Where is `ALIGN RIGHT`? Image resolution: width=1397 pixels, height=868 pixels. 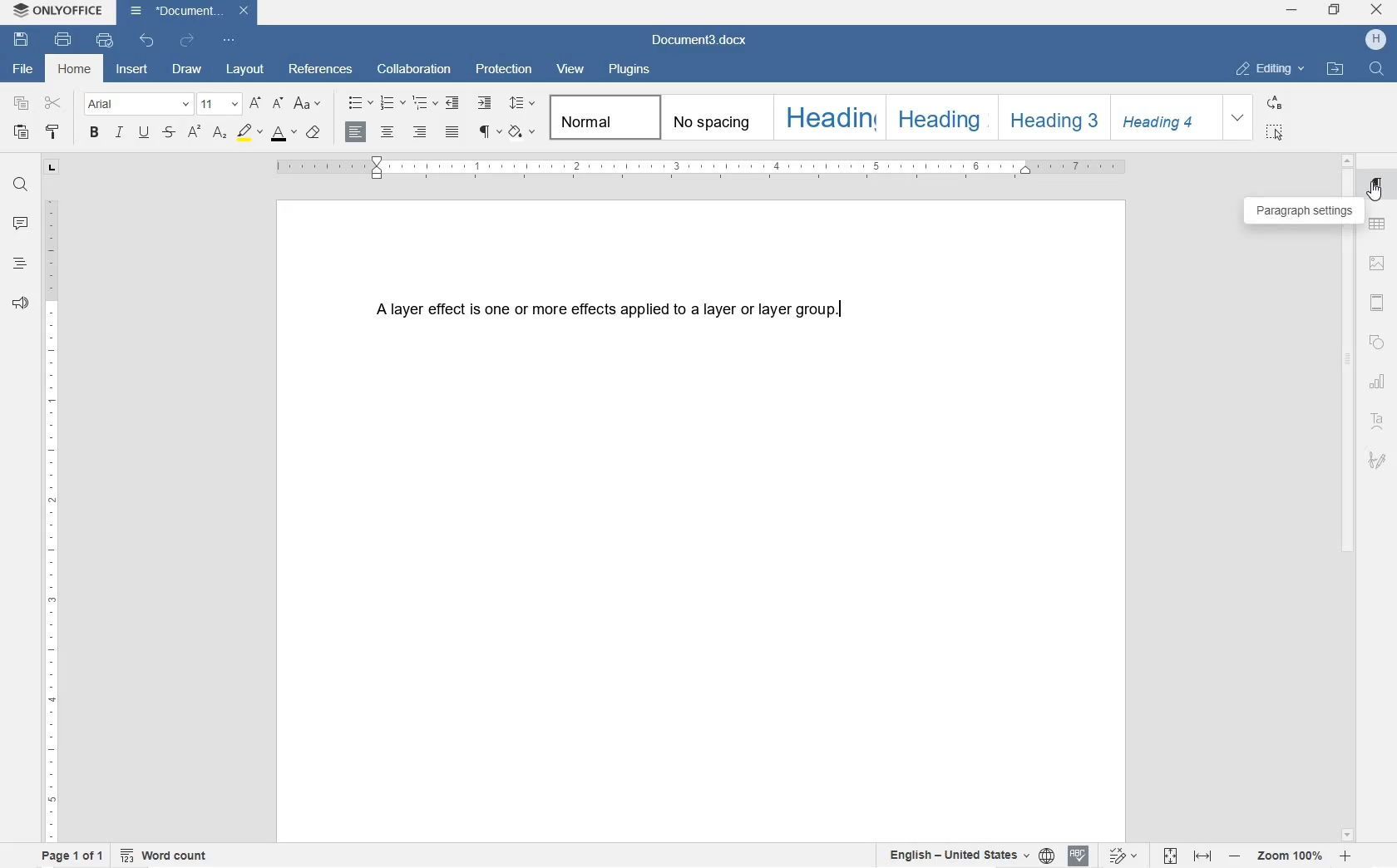
ALIGN RIGHT is located at coordinates (419, 132).